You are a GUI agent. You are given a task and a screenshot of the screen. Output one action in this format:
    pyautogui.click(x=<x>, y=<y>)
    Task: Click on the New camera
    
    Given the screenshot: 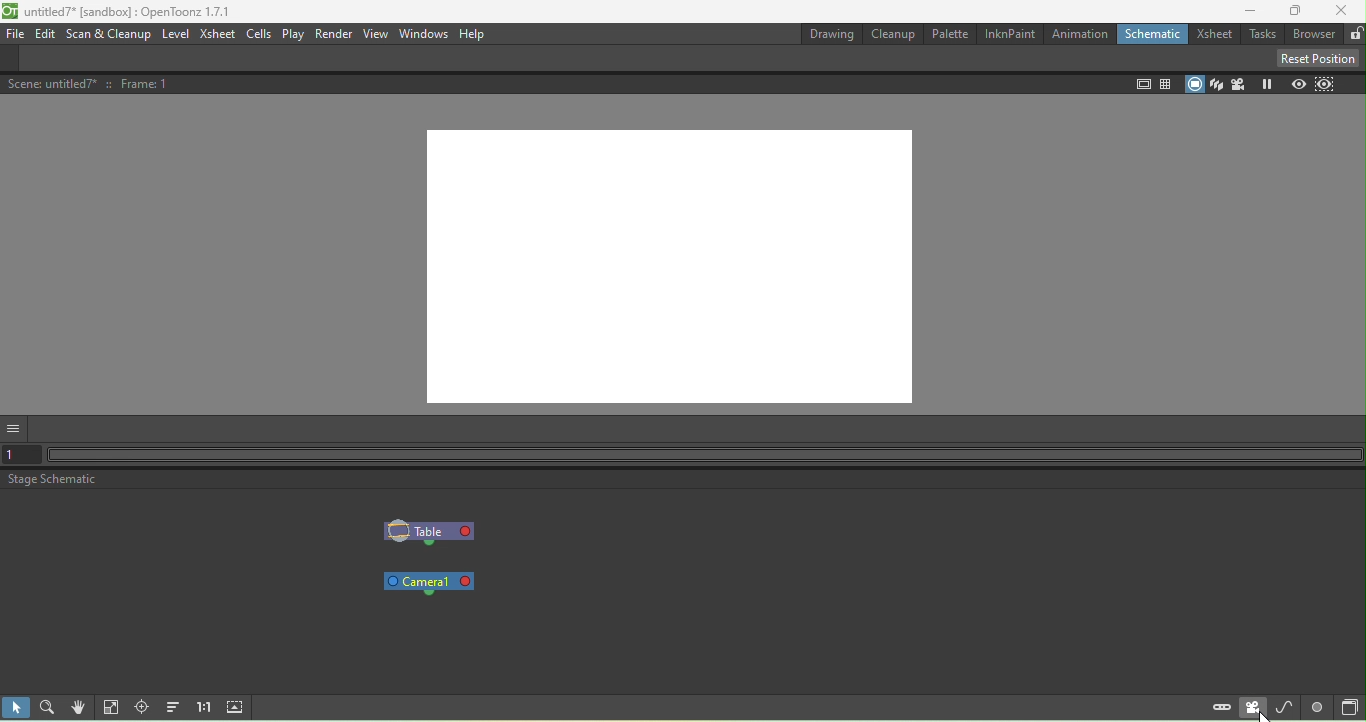 What is the action you would take?
    pyautogui.click(x=1252, y=709)
    